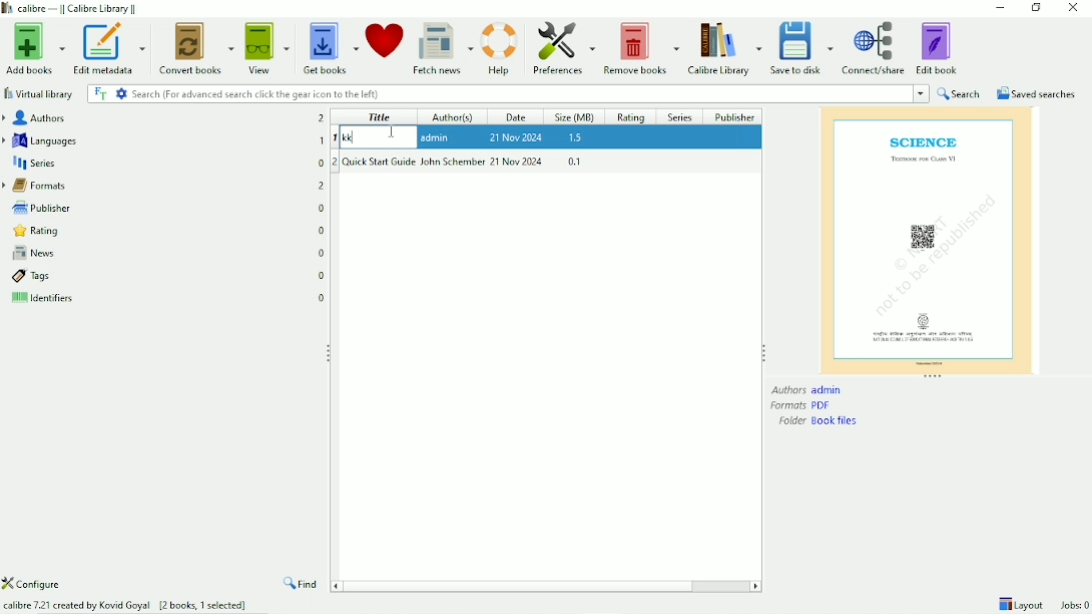 Image resolution: width=1092 pixels, height=614 pixels. Describe the element at coordinates (322, 296) in the screenshot. I see `0` at that location.